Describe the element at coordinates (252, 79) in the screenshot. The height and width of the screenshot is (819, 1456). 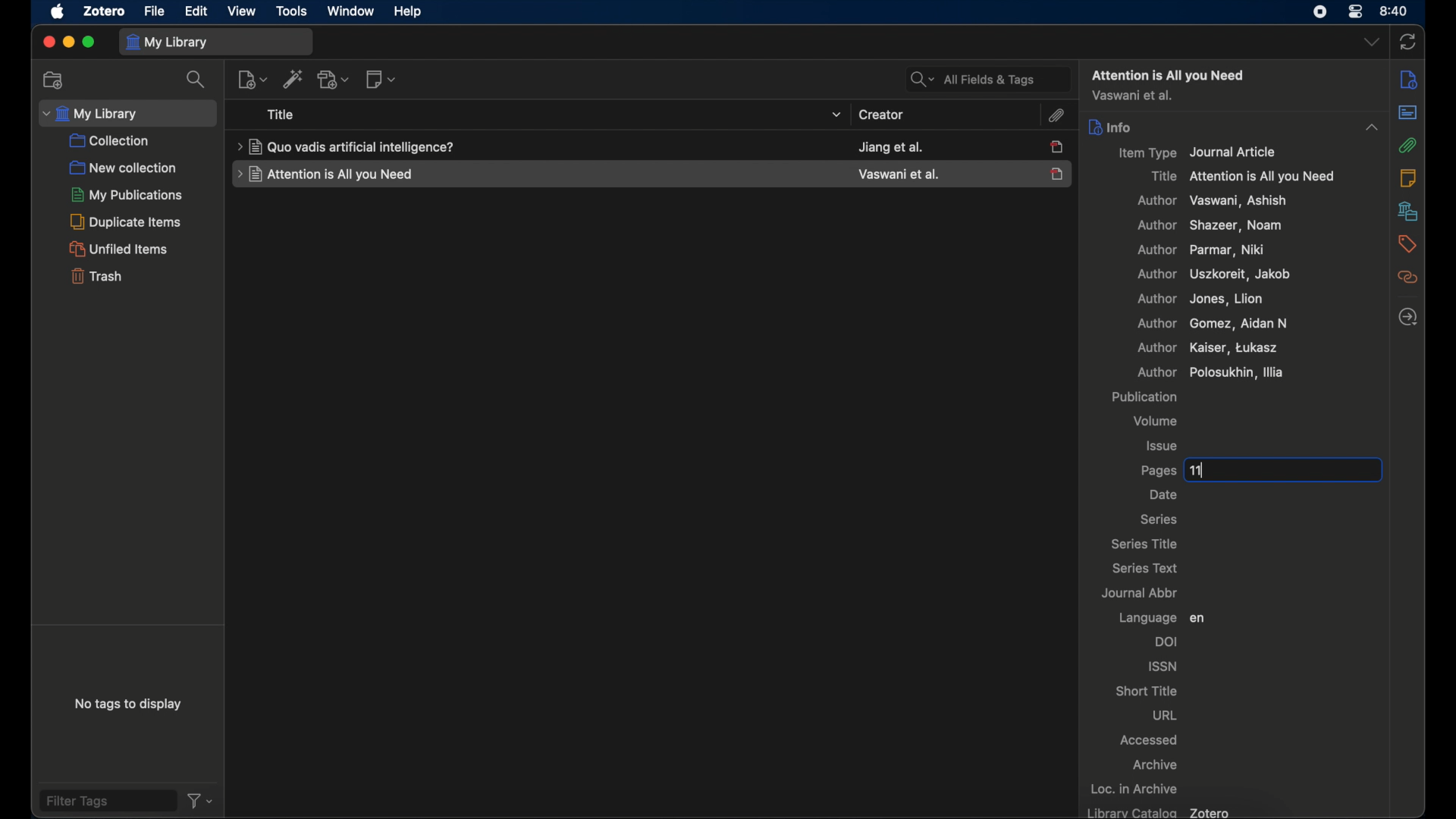
I see `new item` at that location.